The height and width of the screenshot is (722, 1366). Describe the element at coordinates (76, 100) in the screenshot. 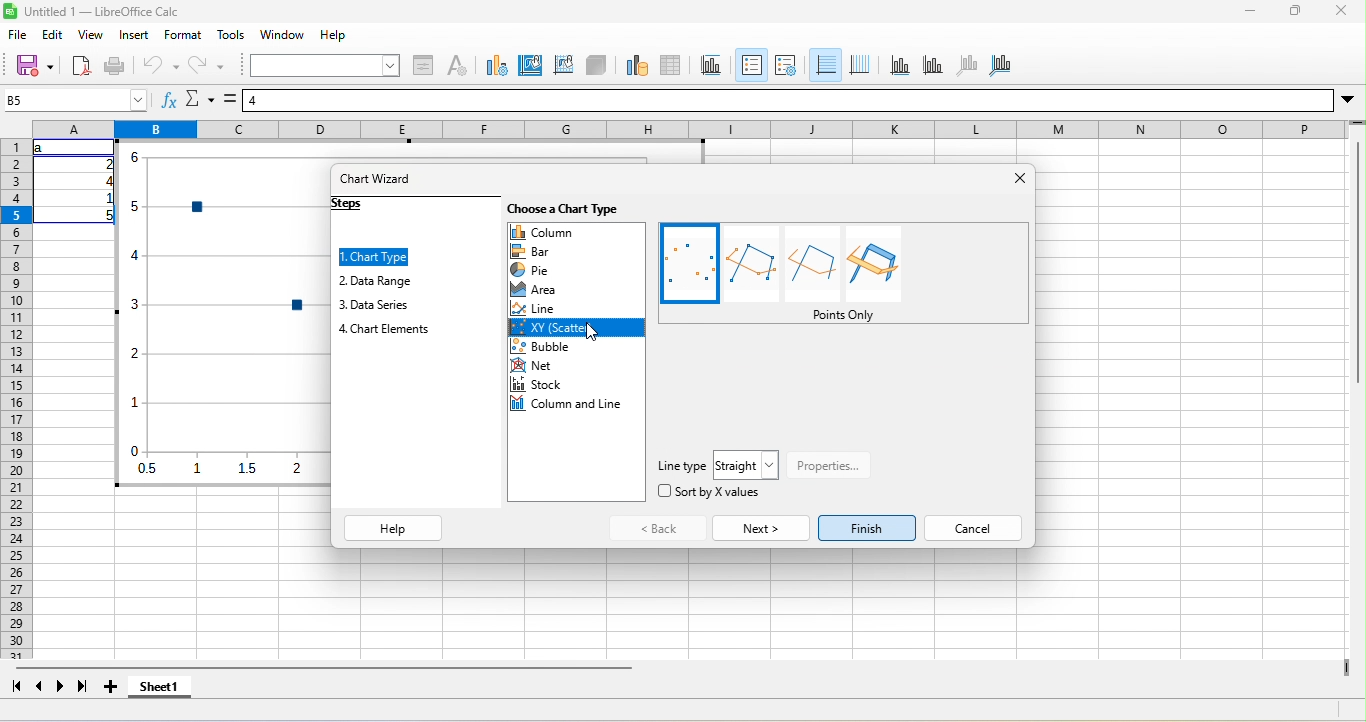

I see `name box` at that location.